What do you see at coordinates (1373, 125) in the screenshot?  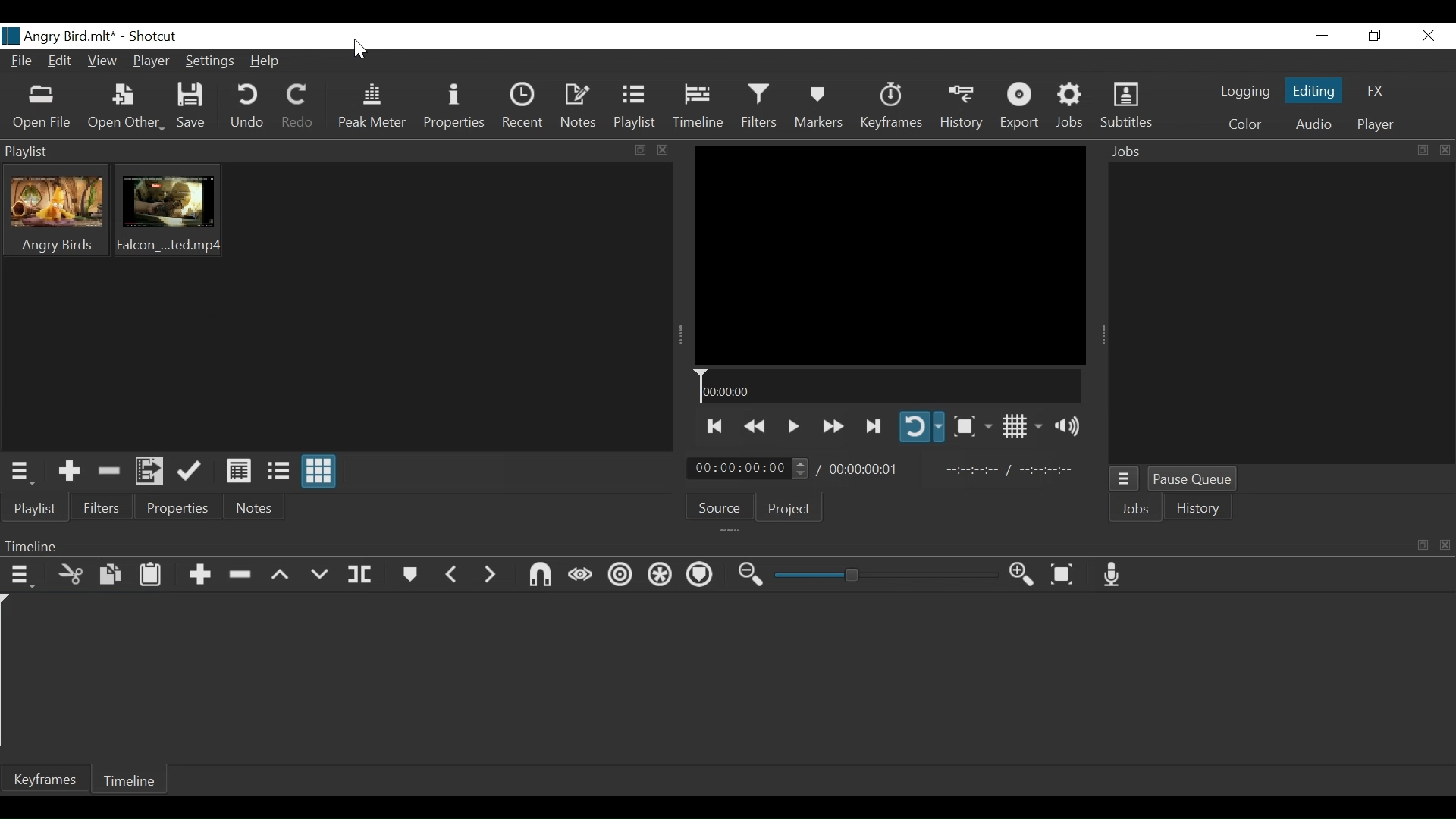 I see `` at bounding box center [1373, 125].